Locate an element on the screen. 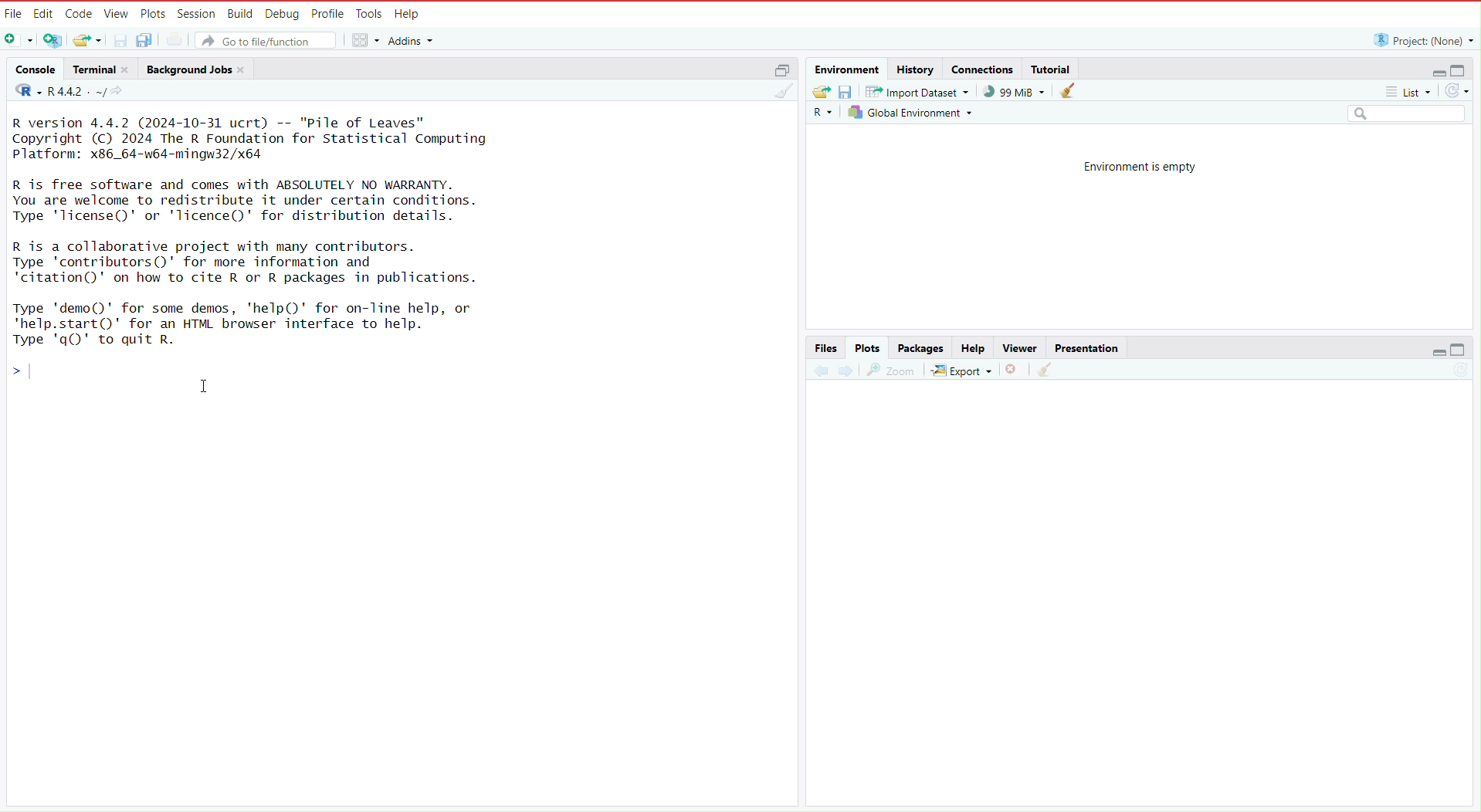  prompt cursor is located at coordinates (10, 370).